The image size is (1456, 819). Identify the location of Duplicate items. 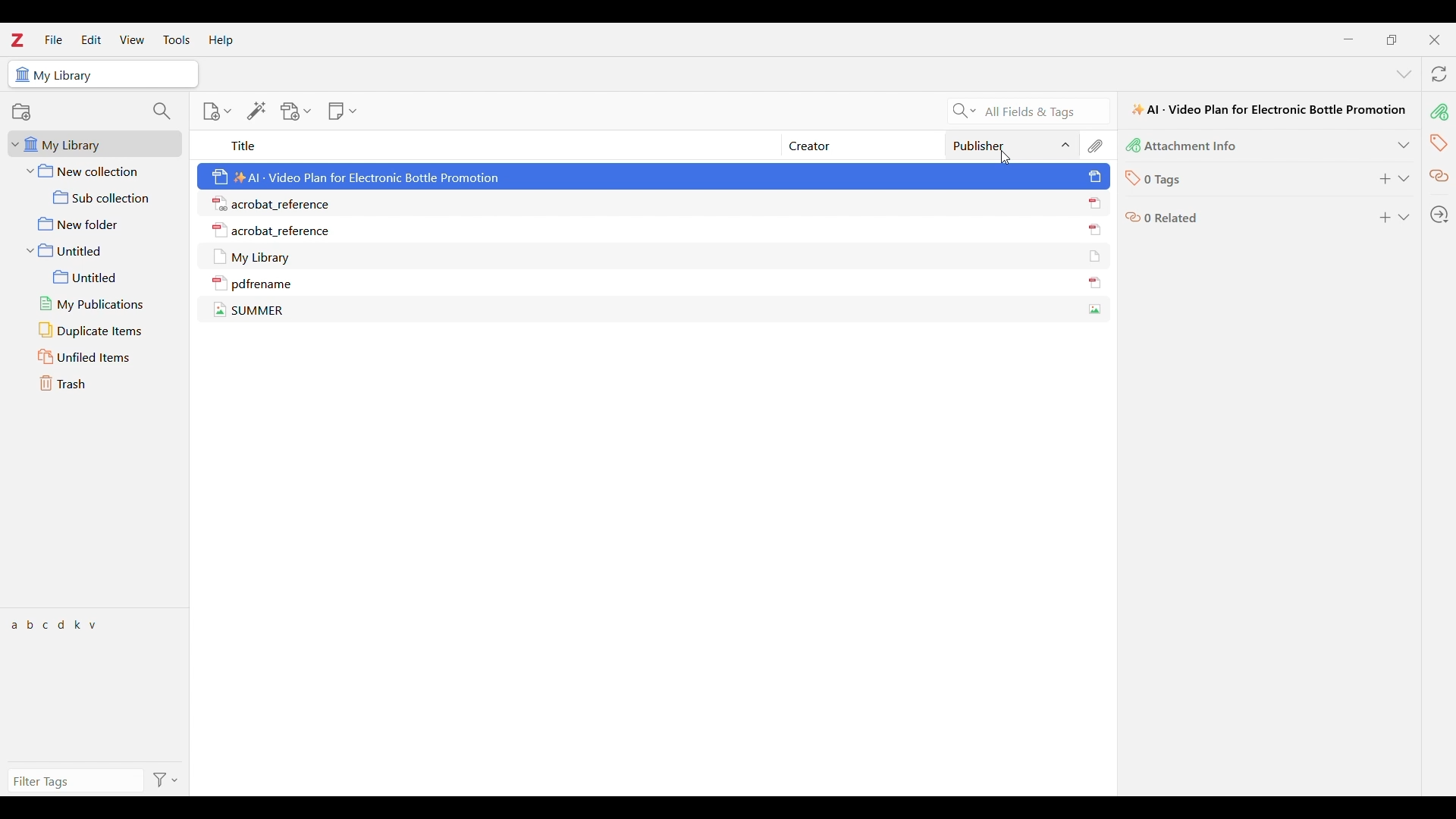
(99, 331).